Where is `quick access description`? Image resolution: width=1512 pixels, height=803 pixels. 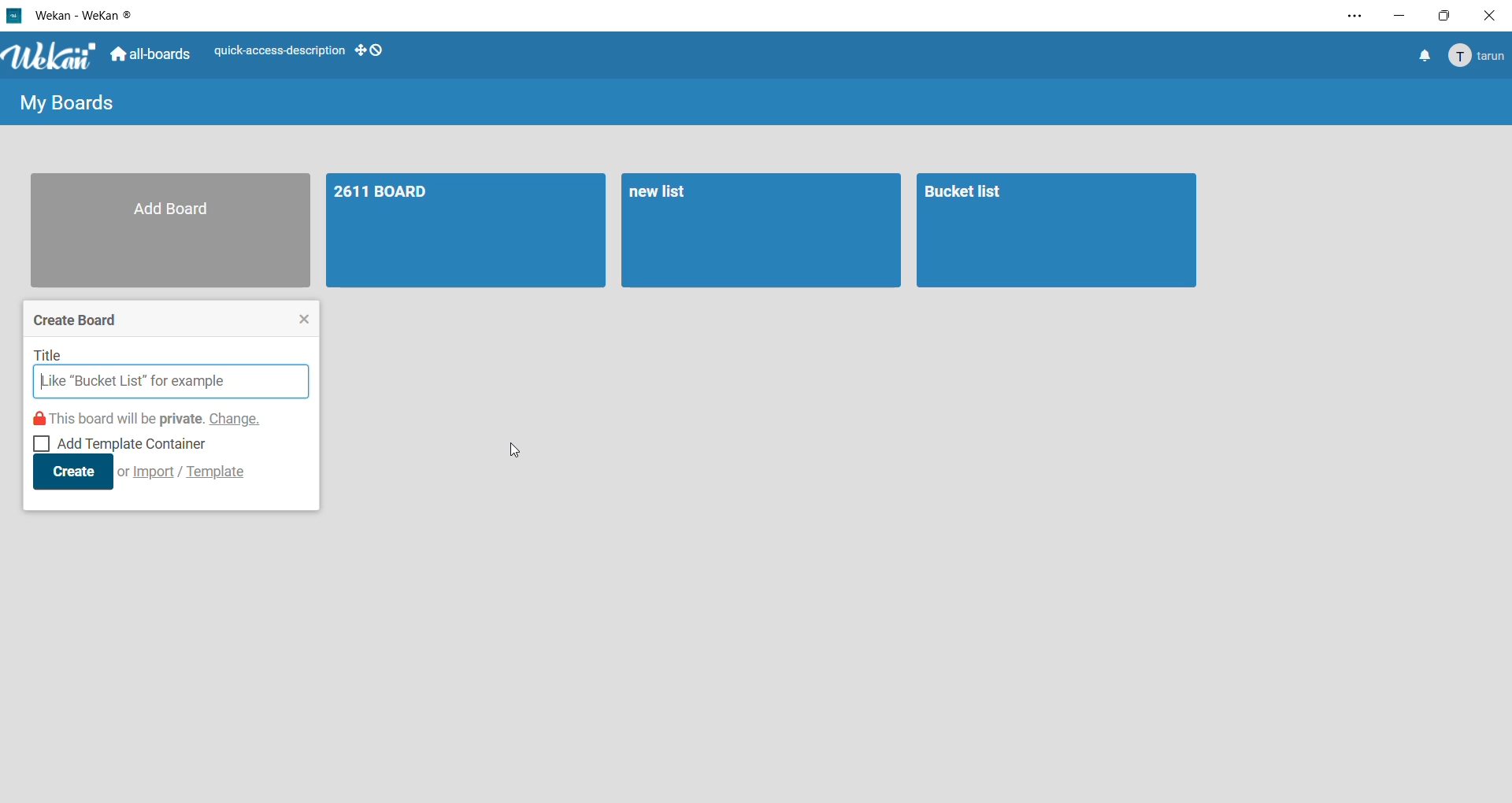 quick access description is located at coordinates (278, 54).